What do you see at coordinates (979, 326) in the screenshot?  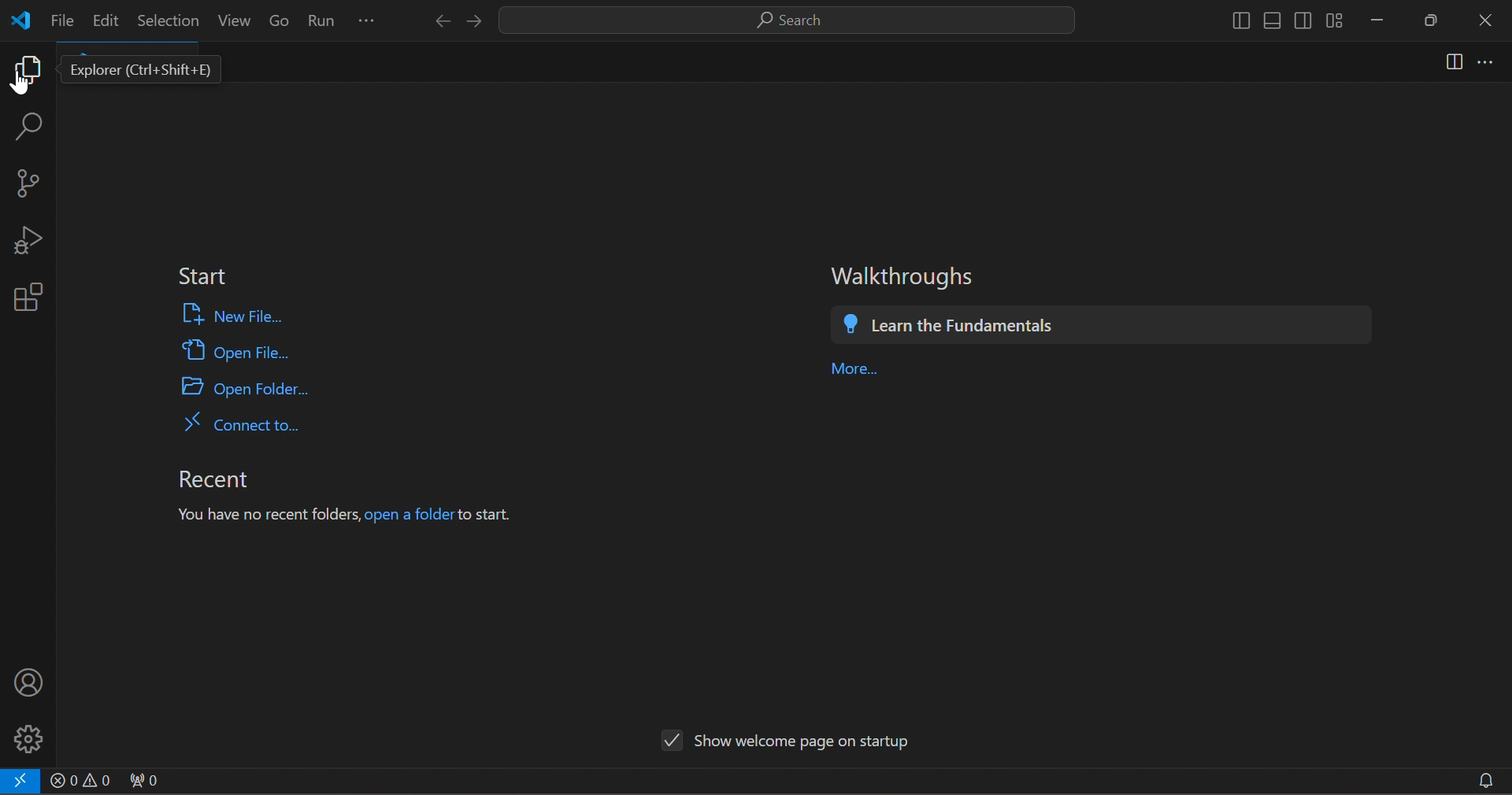 I see `Learn the Fundamentals` at bounding box center [979, 326].